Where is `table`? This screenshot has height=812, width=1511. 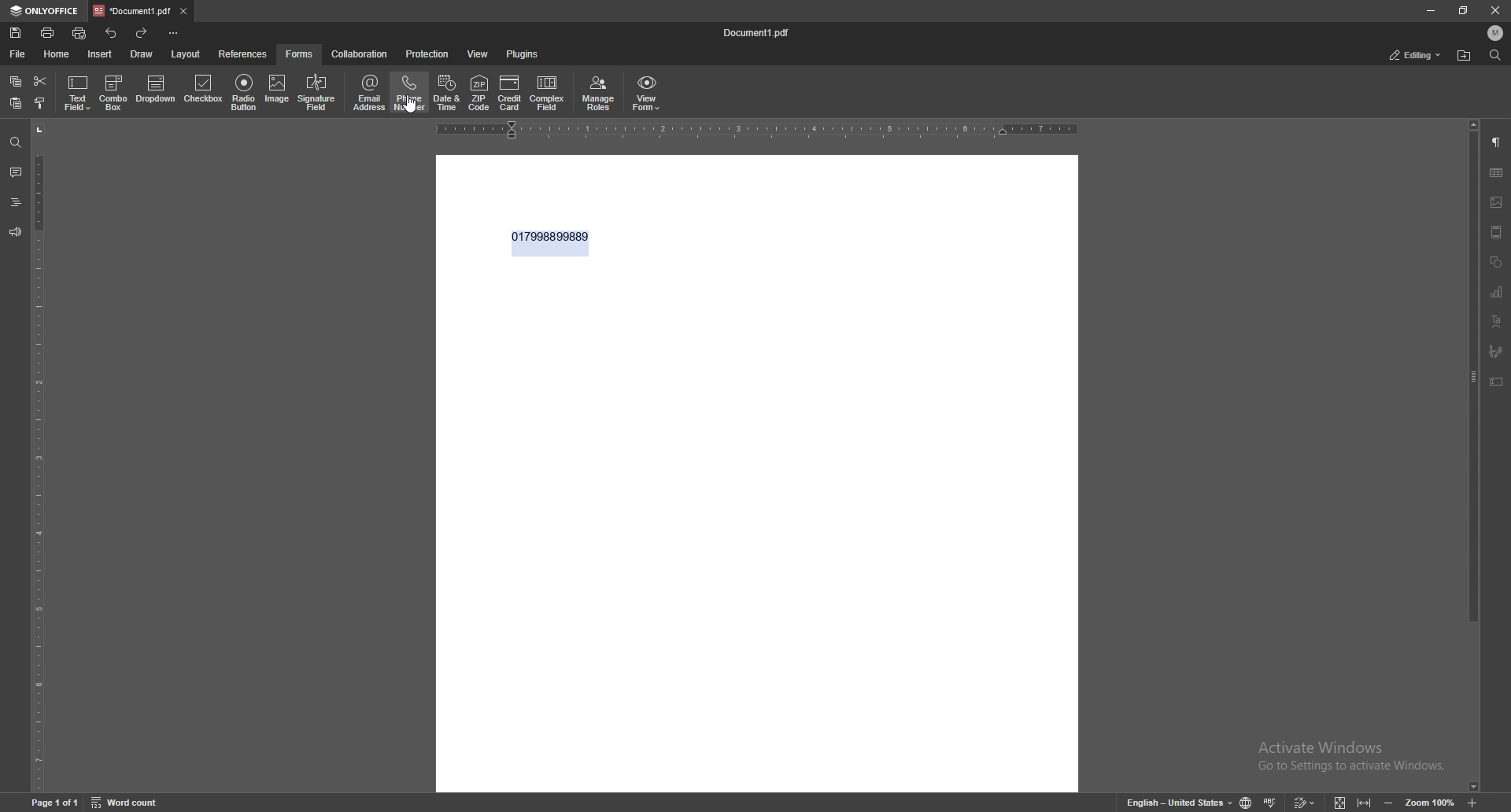 table is located at coordinates (1497, 174).